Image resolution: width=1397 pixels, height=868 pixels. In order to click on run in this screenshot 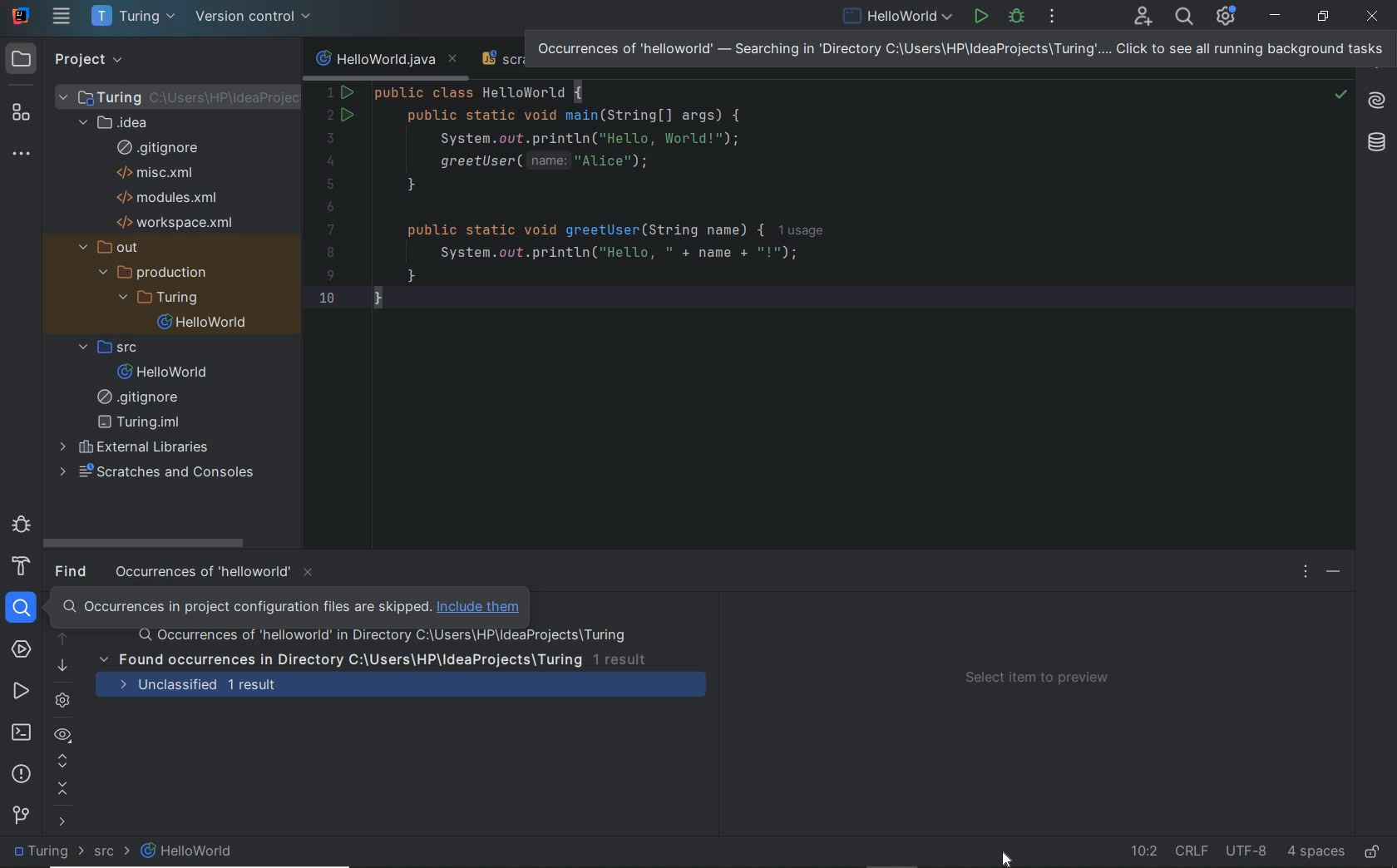, I will do `click(21, 691)`.